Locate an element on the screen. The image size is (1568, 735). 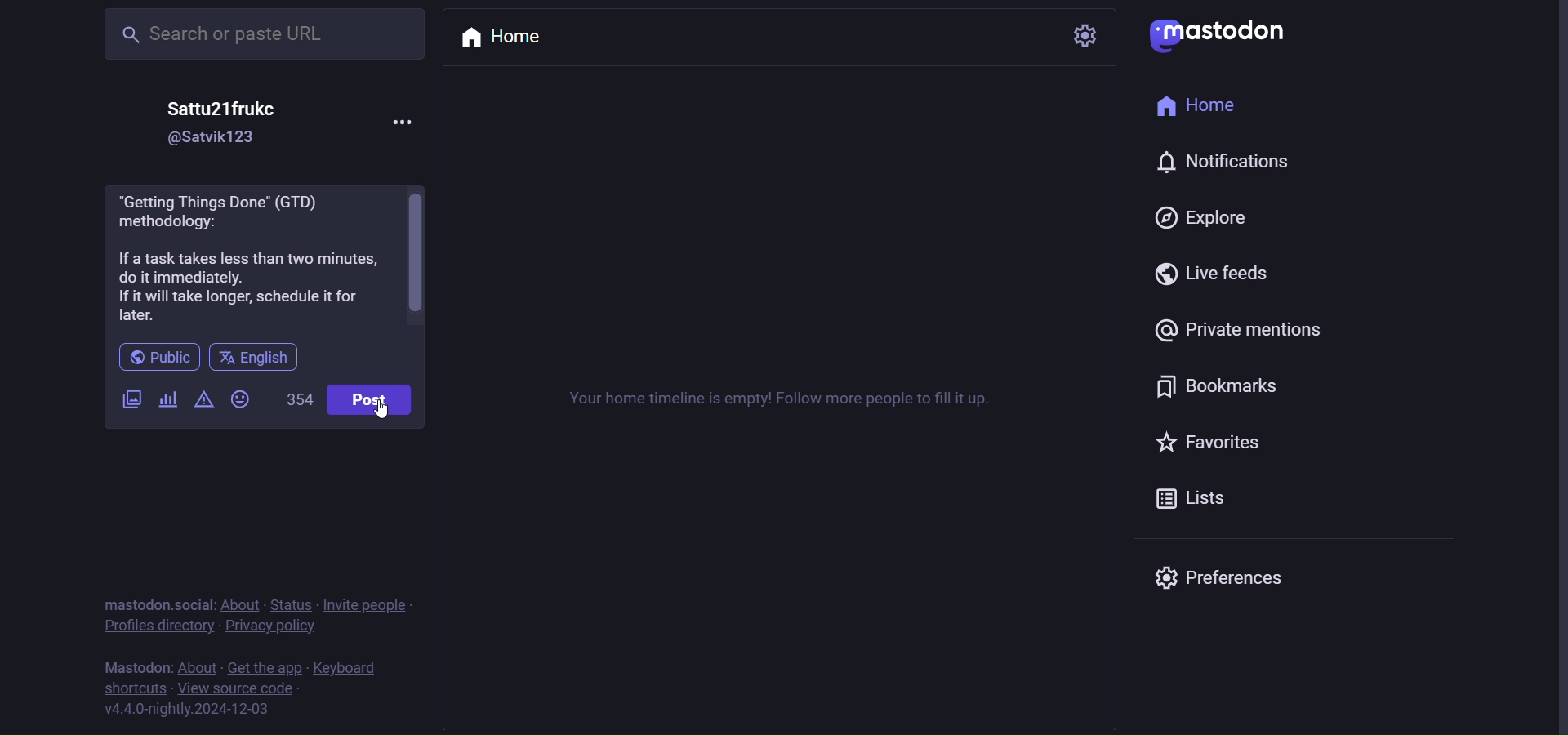
public is located at coordinates (158, 359).